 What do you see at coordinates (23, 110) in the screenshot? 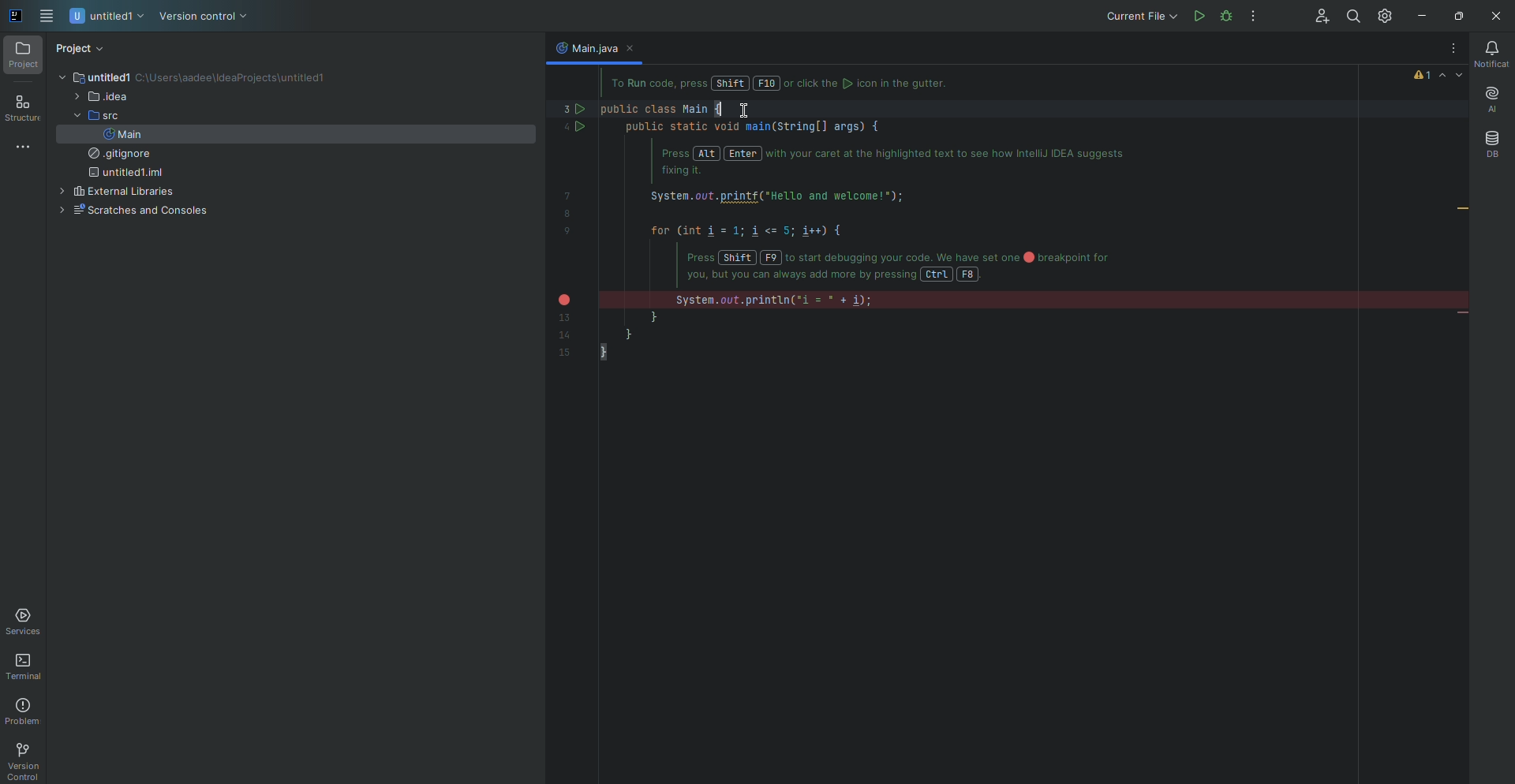
I see `Structure` at bounding box center [23, 110].